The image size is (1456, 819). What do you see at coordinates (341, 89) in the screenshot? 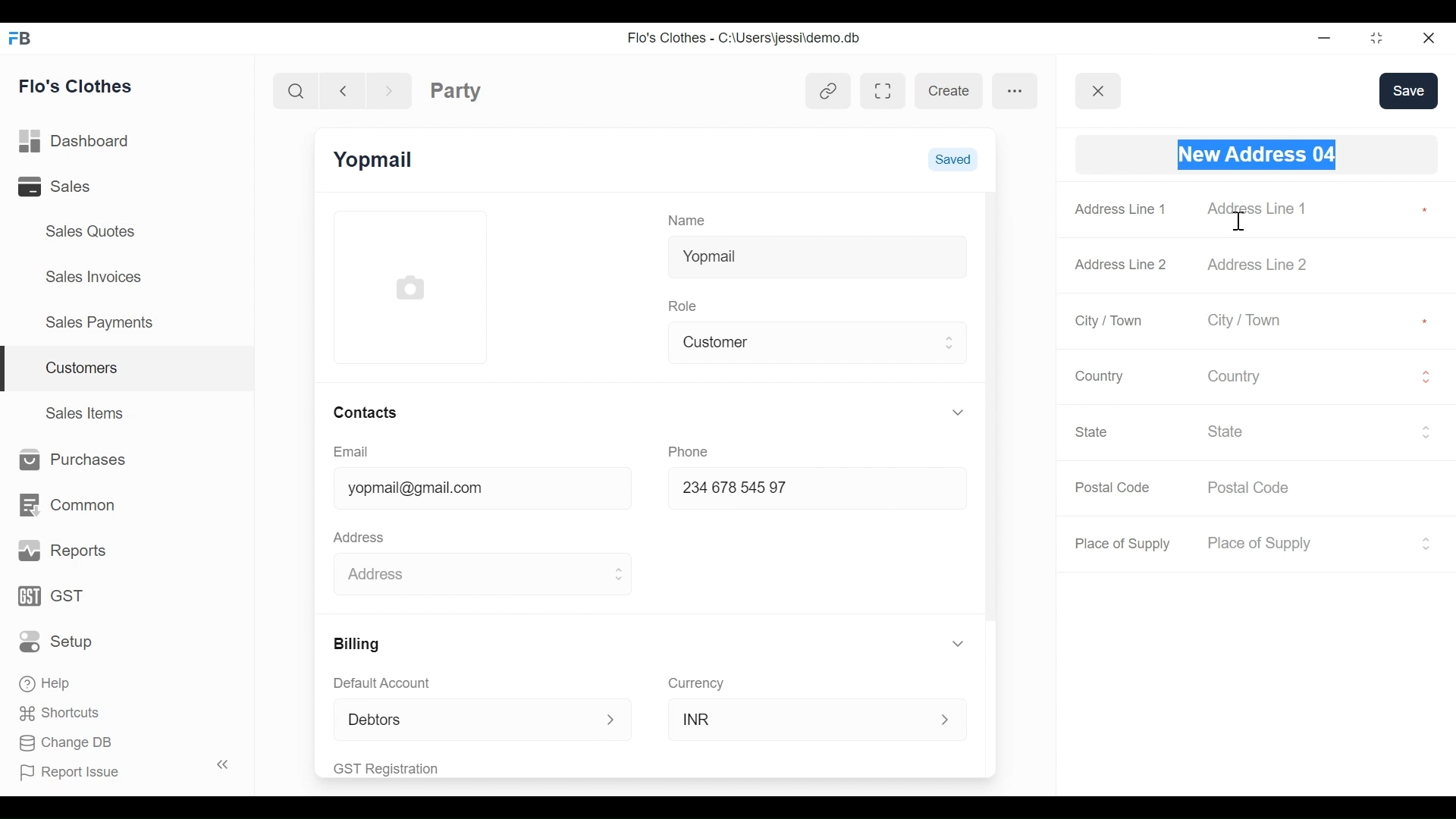
I see `Navigate back` at bounding box center [341, 89].